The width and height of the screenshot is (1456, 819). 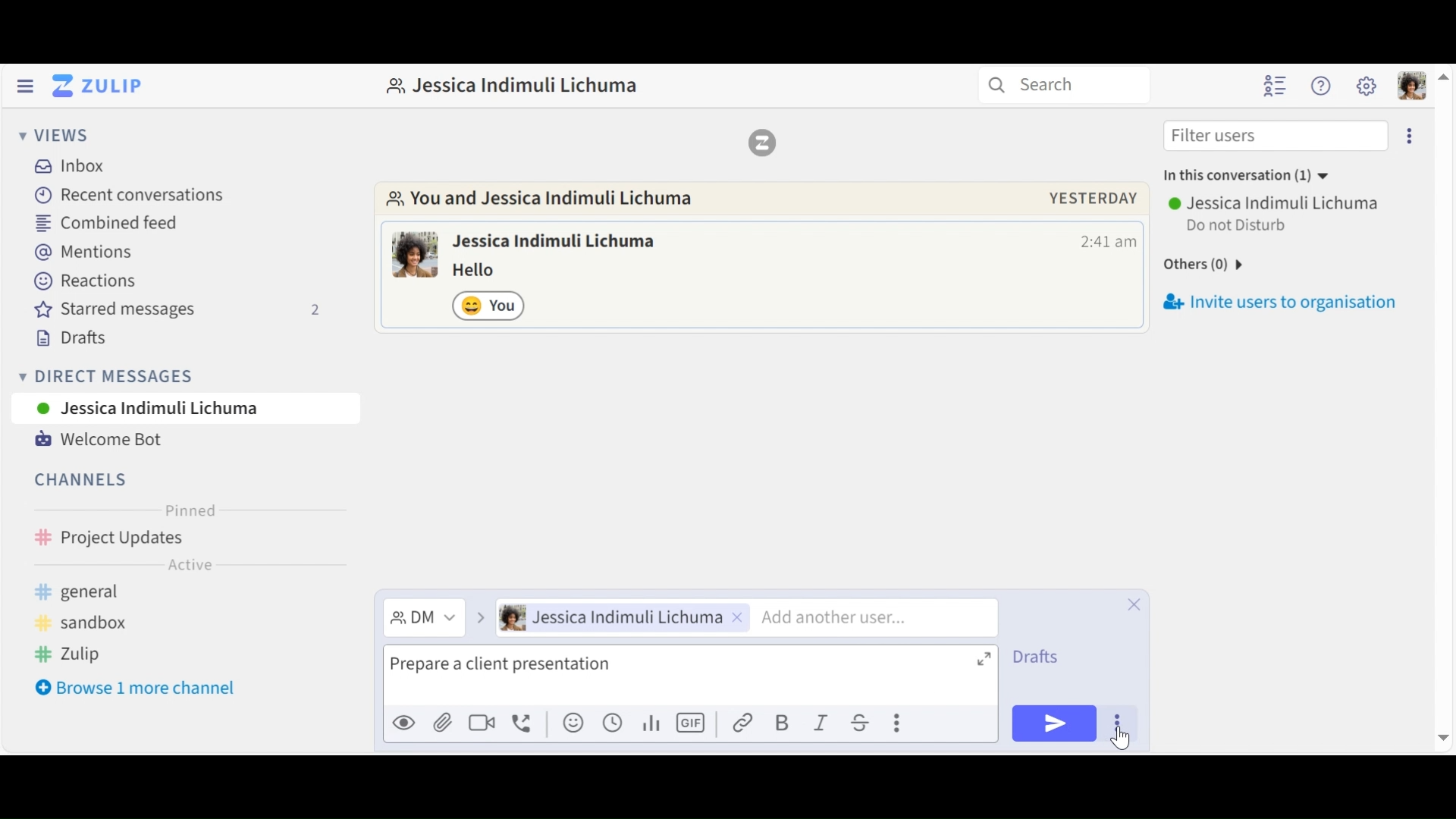 What do you see at coordinates (1072, 86) in the screenshot?
I see `Search` at bounding box center [1072, 86].